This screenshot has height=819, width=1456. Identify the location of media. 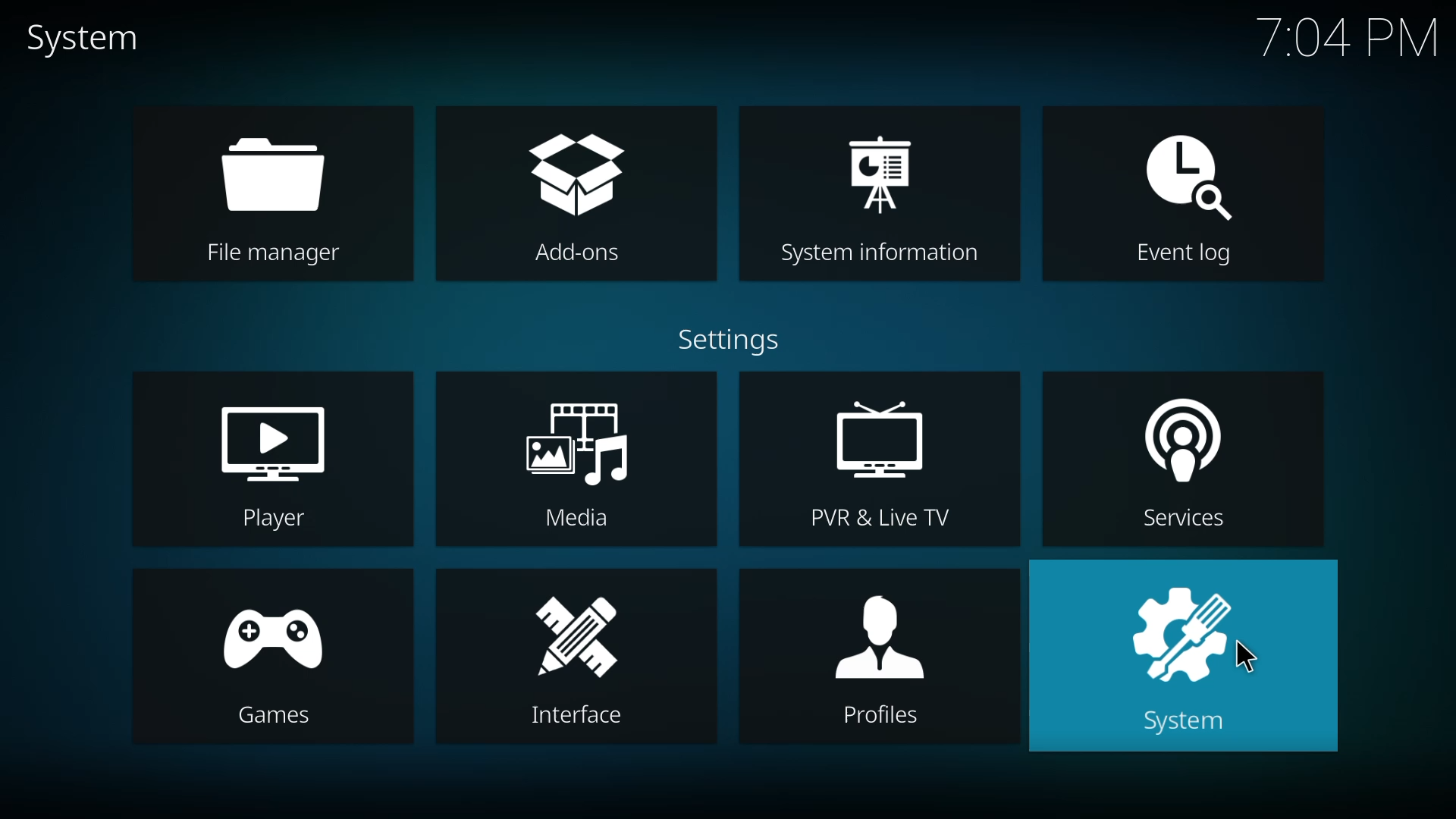
(579, 463).